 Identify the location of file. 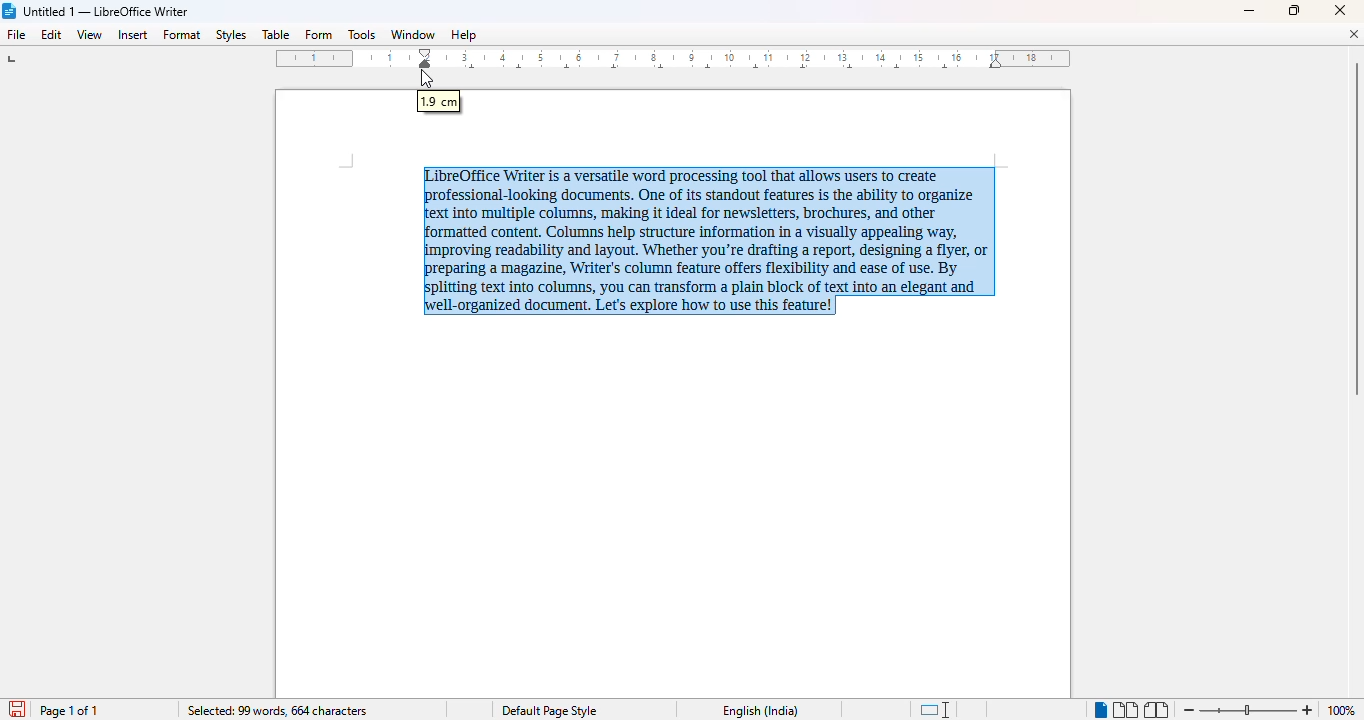
(15, 34).